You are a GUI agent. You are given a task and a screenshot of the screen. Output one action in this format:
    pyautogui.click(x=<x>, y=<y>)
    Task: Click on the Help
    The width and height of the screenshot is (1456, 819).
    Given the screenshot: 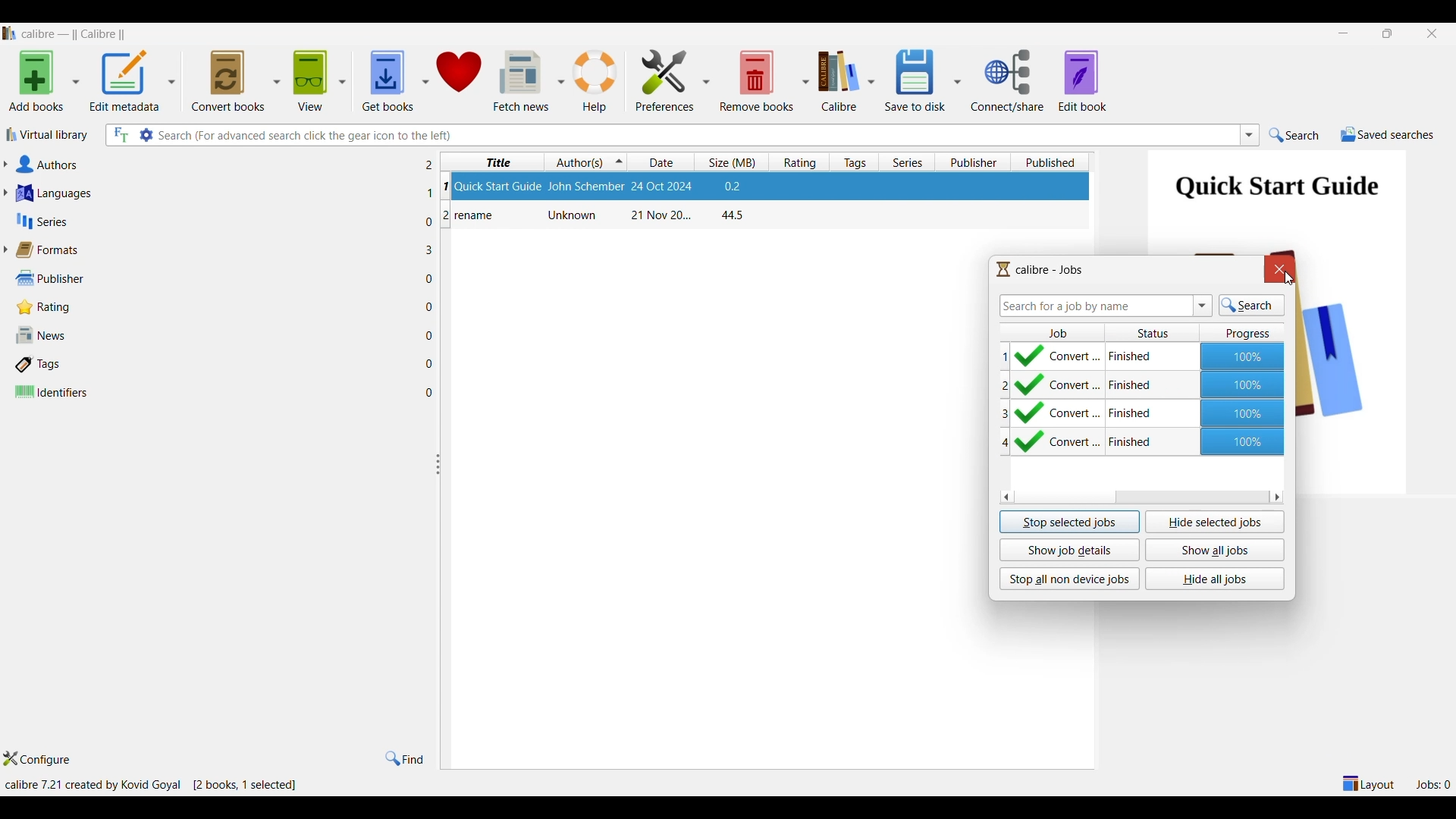 What is the action you would take?
    pyautogui.click(x=596, y=82)
    